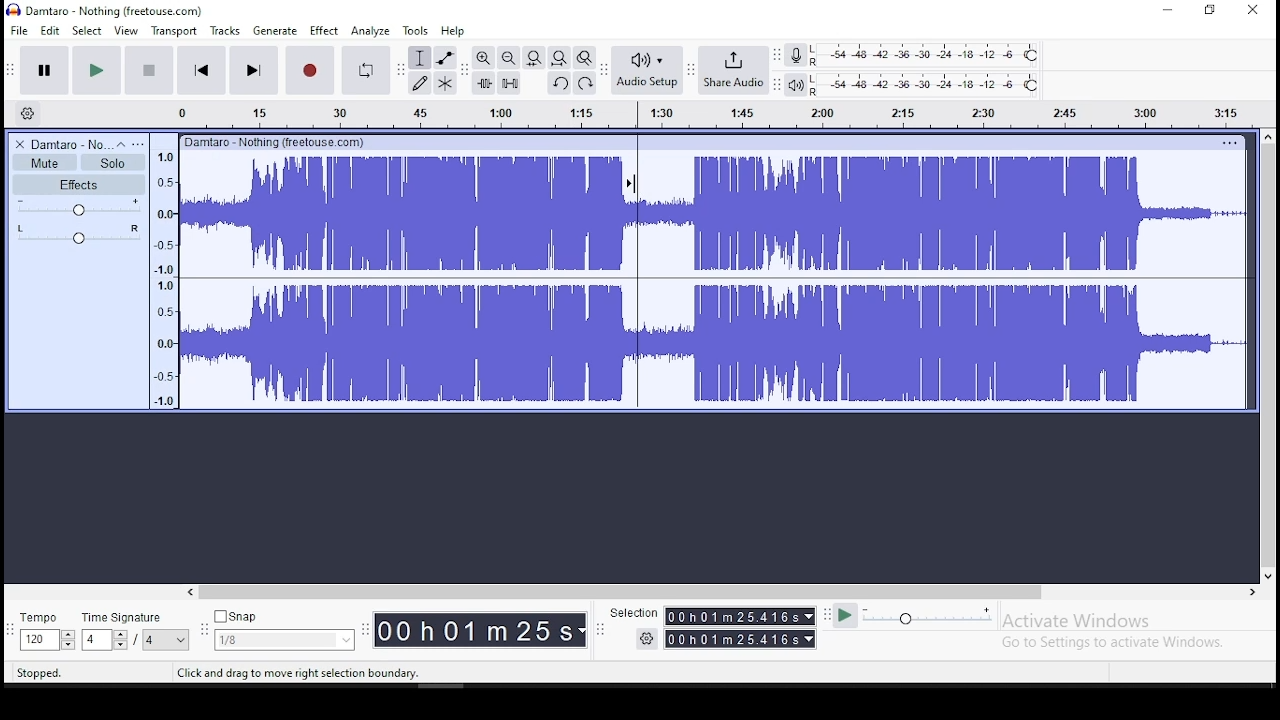  Describe the element at coordinates (479, 629) in the screenshot. I see `time menu` at that location.